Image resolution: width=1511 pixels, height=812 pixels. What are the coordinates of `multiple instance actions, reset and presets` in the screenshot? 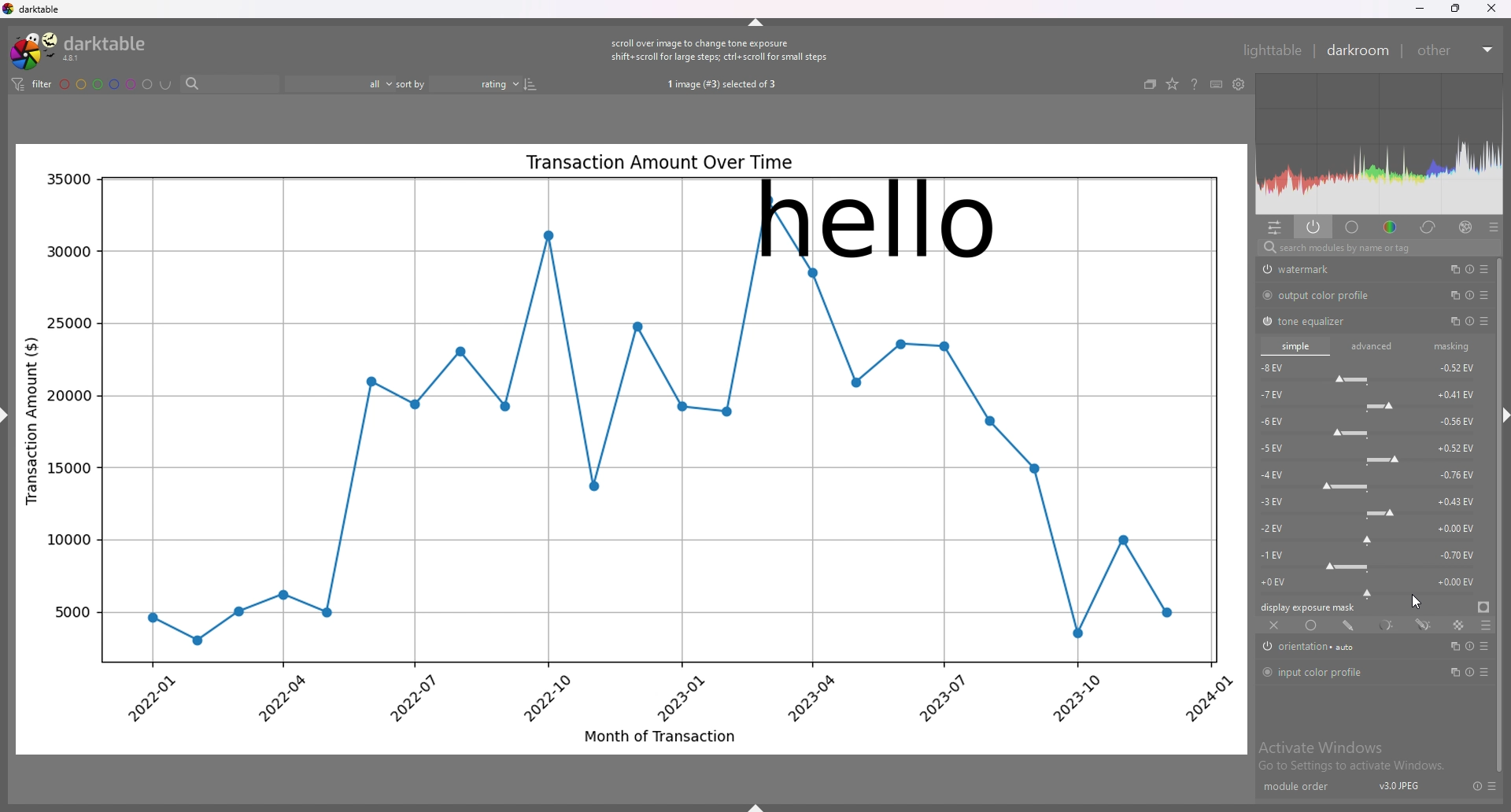 It's located at (1469, 321).